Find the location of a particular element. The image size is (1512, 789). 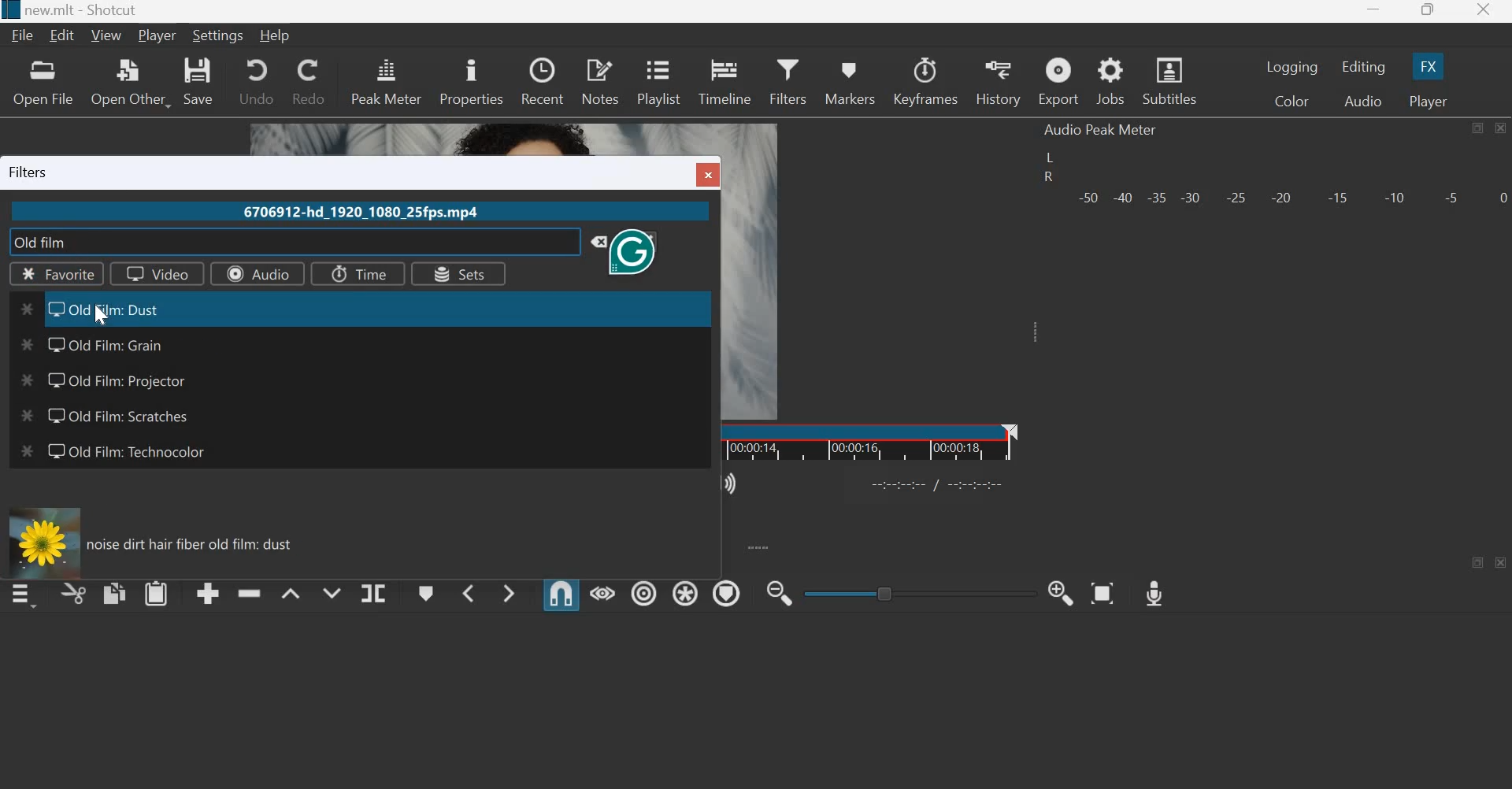

maximize is located at coordinates (1427, 12).